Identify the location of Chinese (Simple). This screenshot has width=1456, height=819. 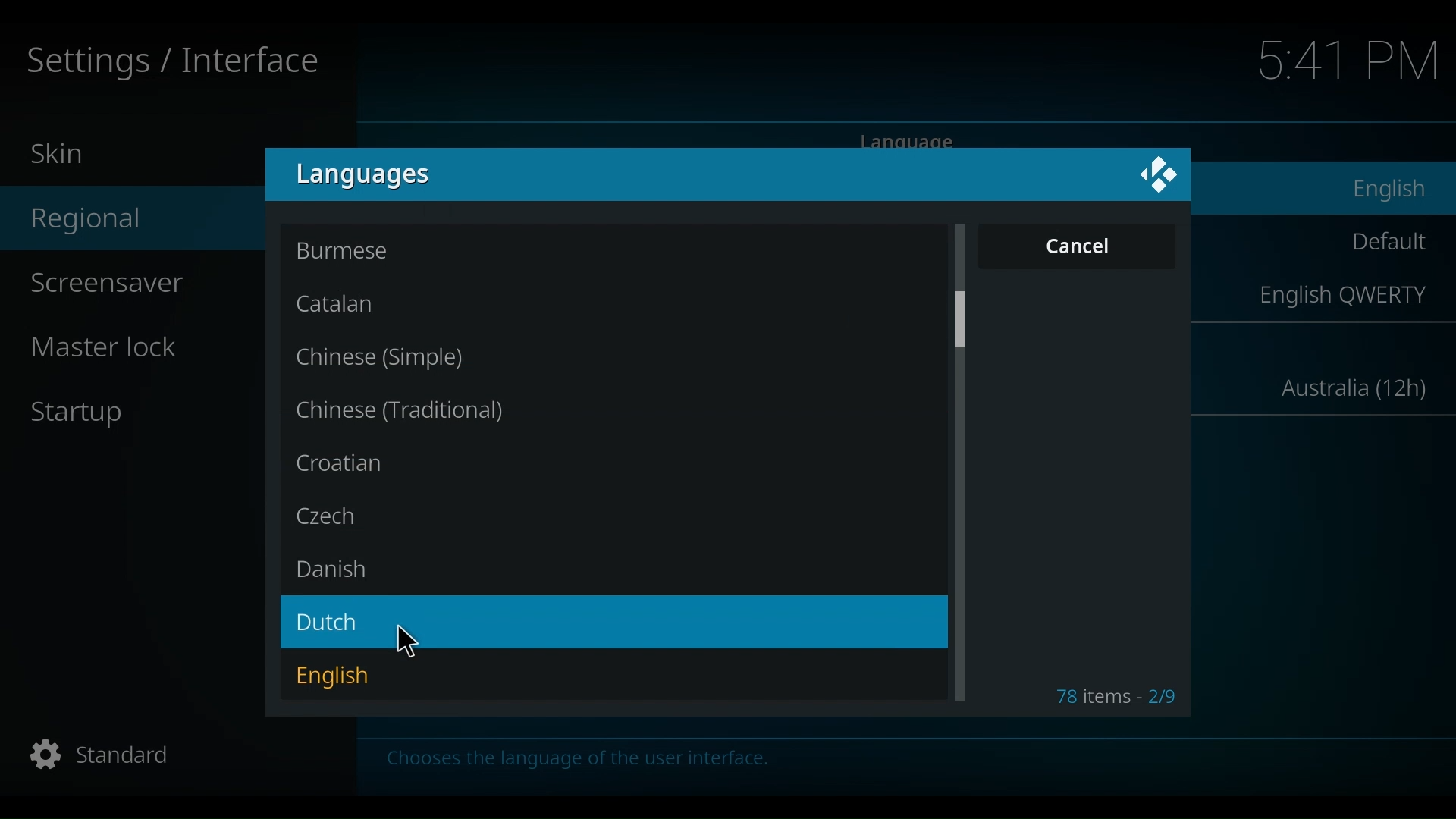
(381, 356).